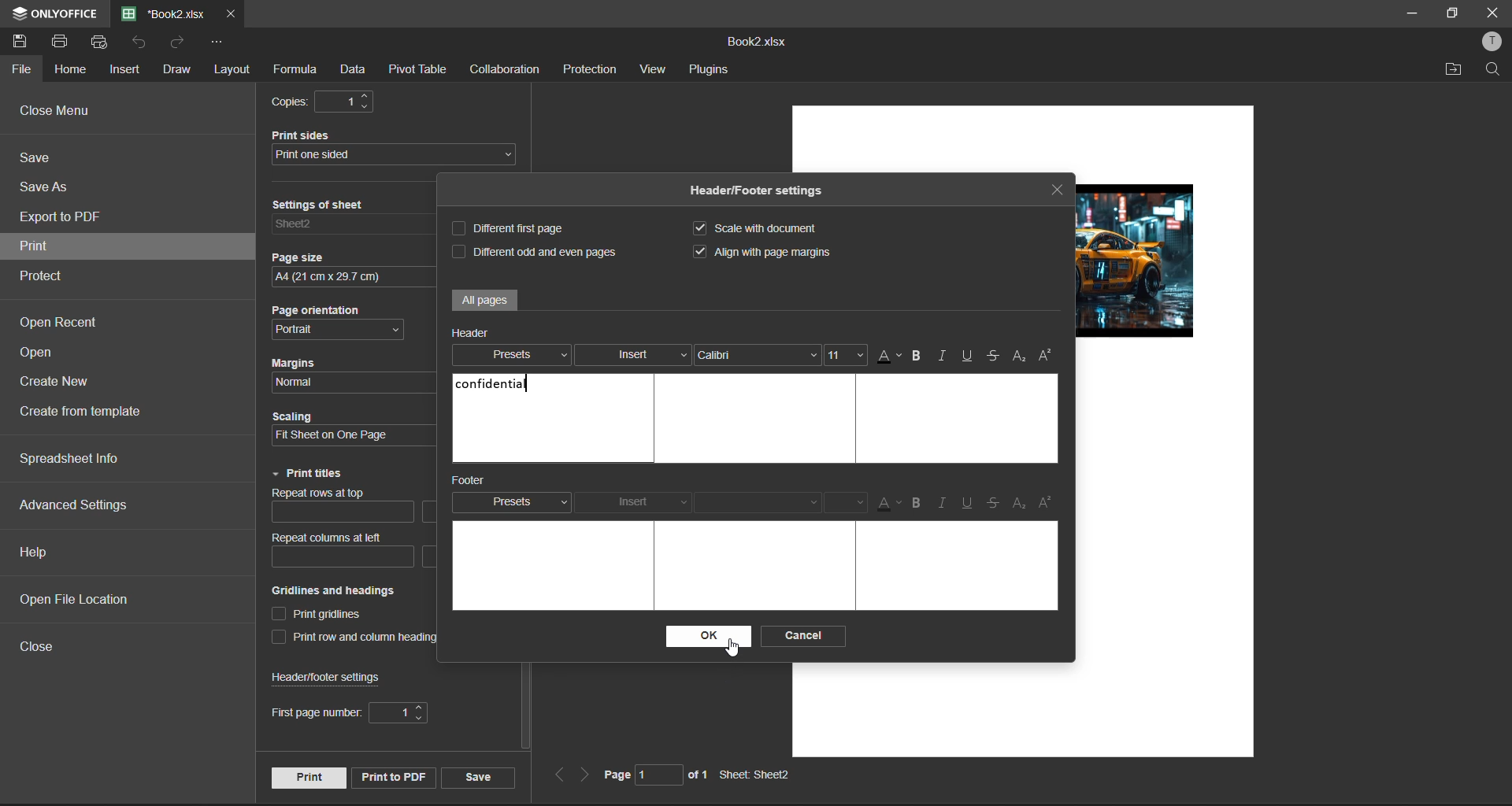  Describe the element at coordinates (474, 331) in the screenshot. I see `header` at that location.